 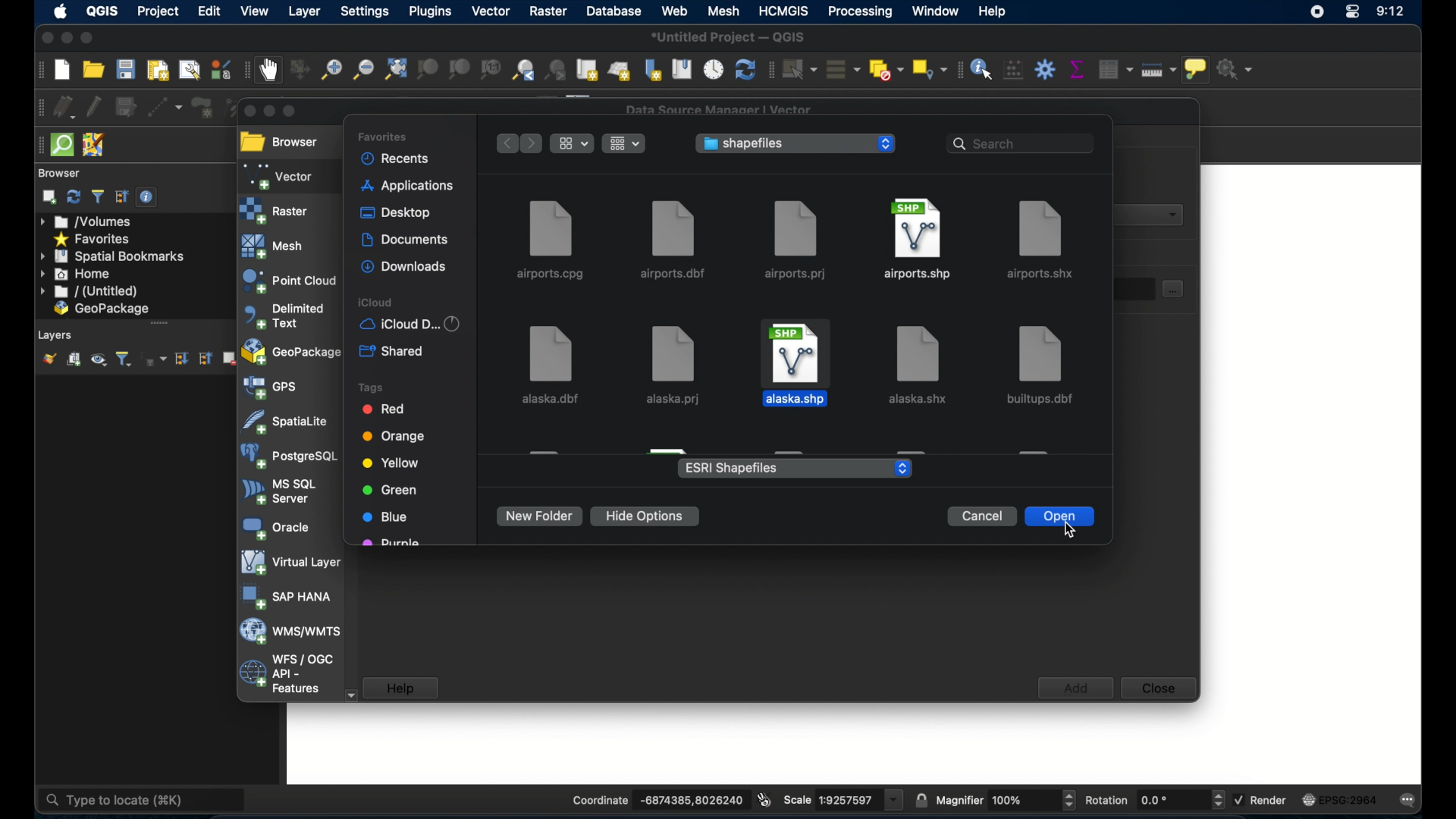 I want to click on QGIS, so click(x=103, y=11).